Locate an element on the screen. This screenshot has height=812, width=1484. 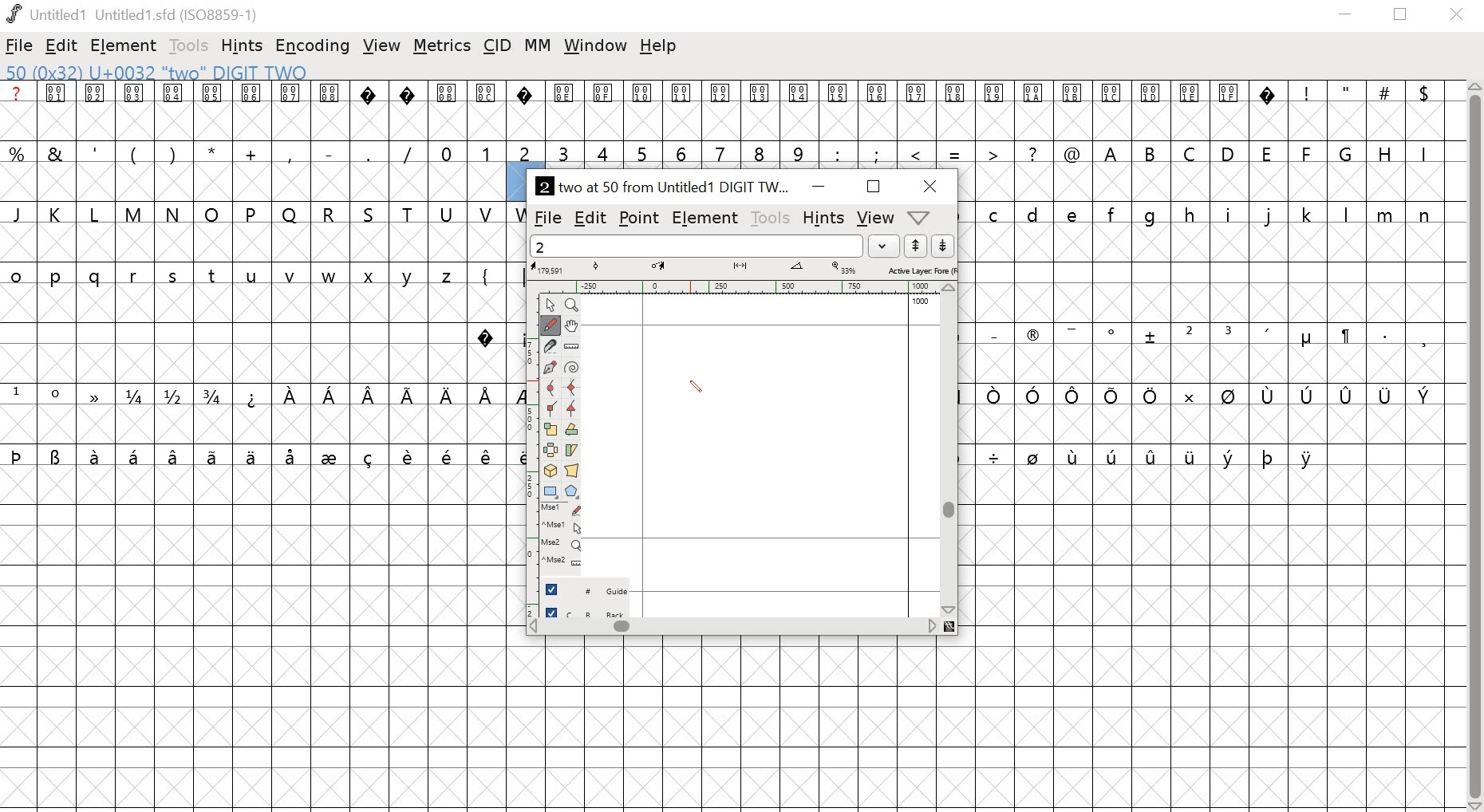
ruler is located at coordinates (570, 347).